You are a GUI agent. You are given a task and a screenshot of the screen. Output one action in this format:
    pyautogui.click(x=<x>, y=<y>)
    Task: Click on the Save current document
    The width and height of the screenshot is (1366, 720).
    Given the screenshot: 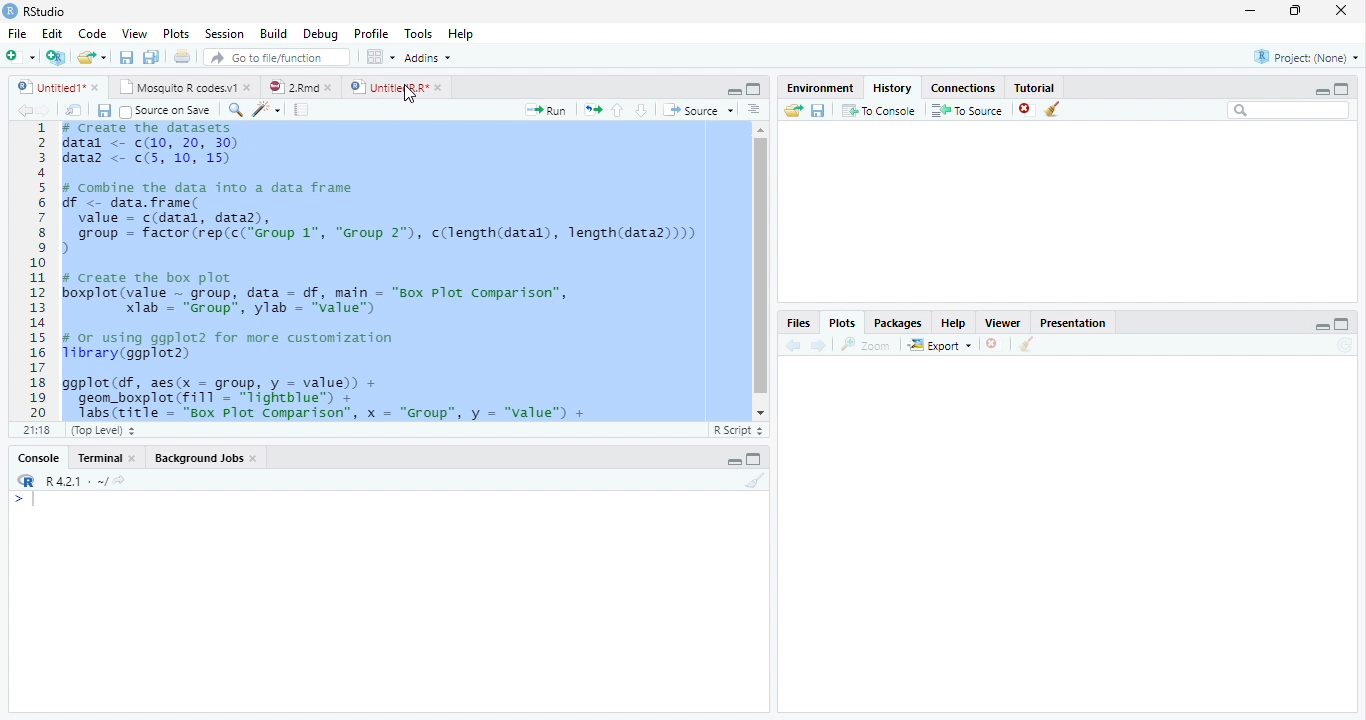 What is the action you would take?
    pyautogui.click(x=126, y=56)
    